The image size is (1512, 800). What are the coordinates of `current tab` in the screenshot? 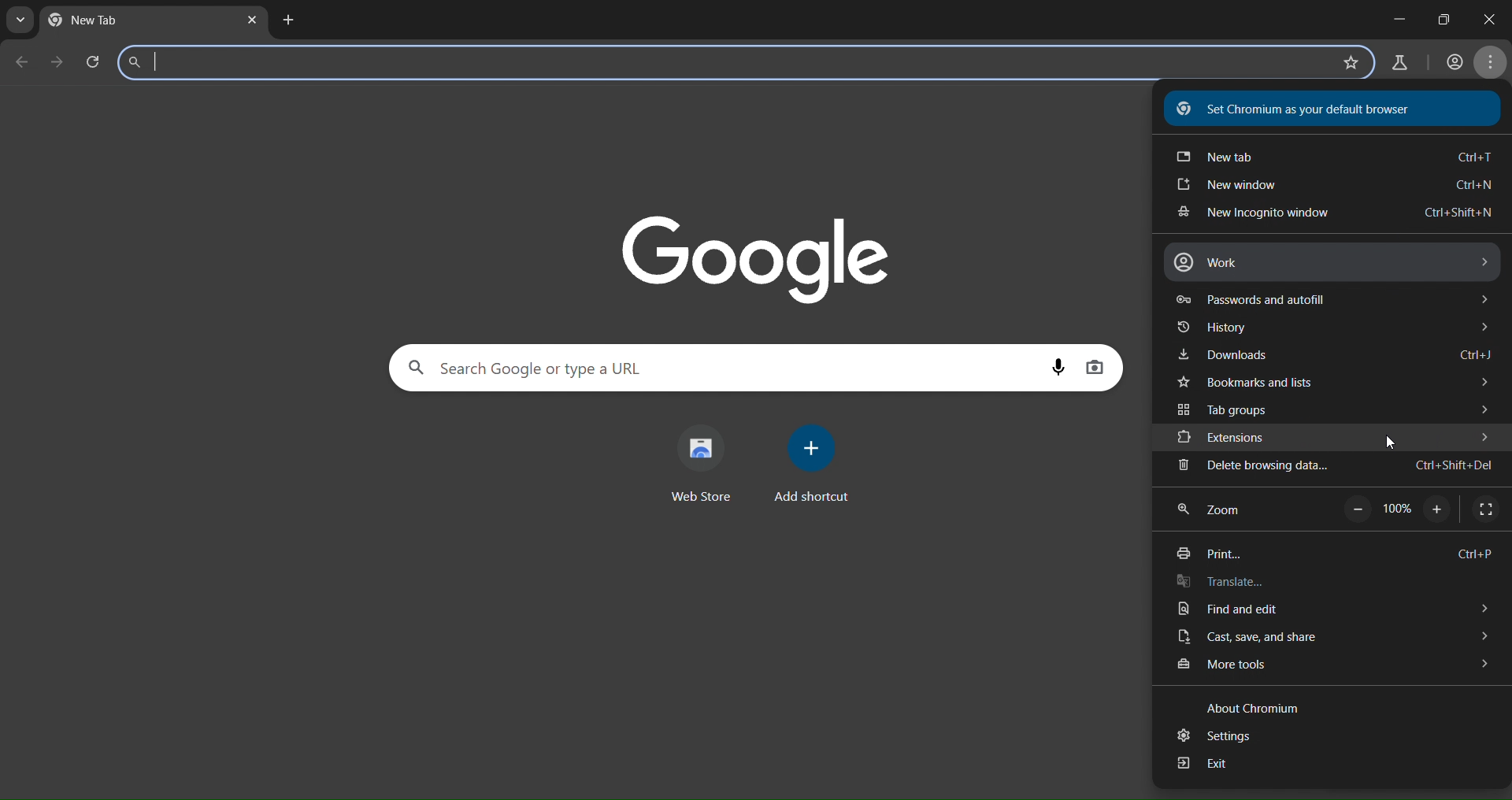 It's located at (109, 20).